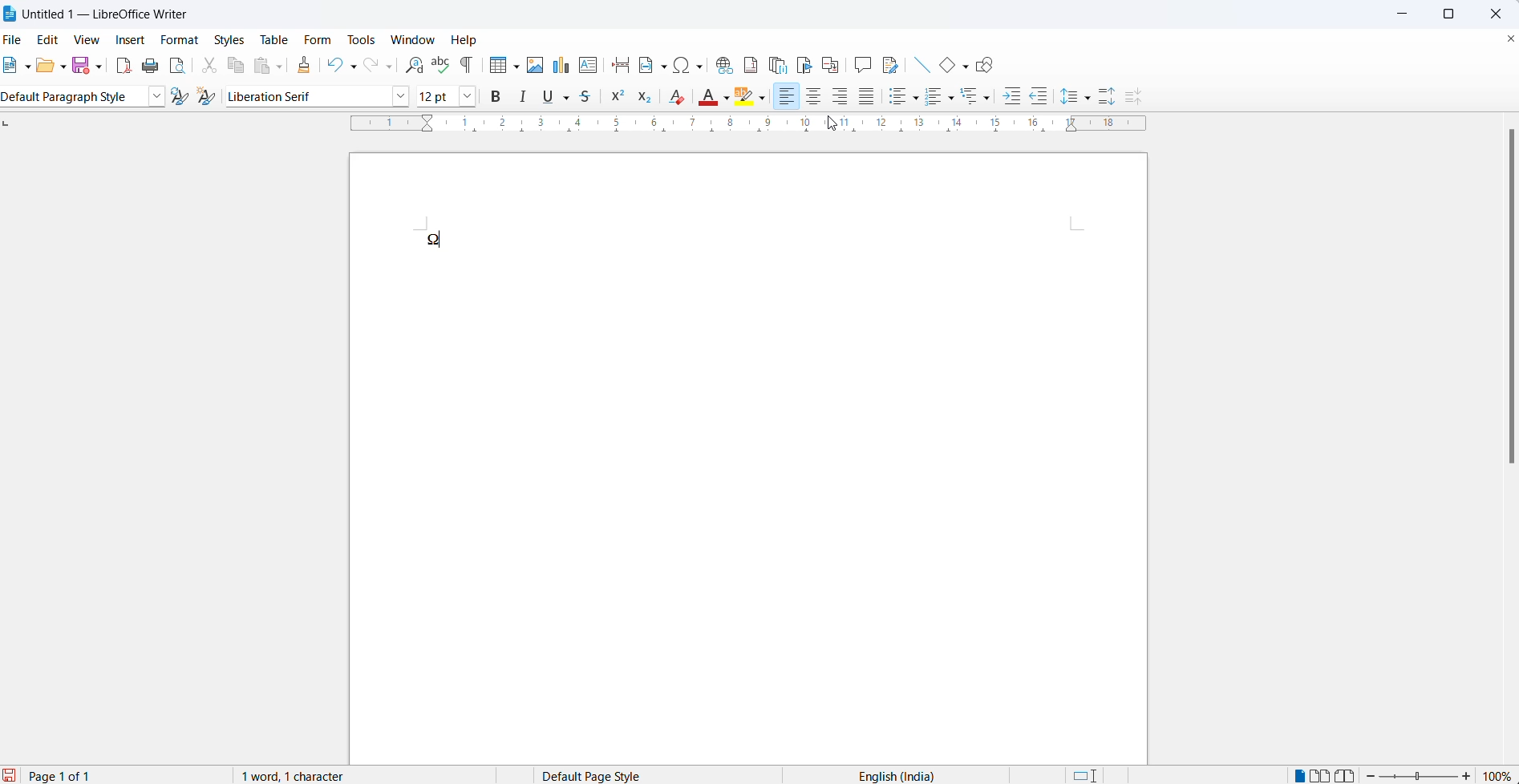 The height and width of the screenshot is (784, 1519). What do you see at coordinates (317, 40) in the screenshot?
I see `form` at bounding box center [317, 40].